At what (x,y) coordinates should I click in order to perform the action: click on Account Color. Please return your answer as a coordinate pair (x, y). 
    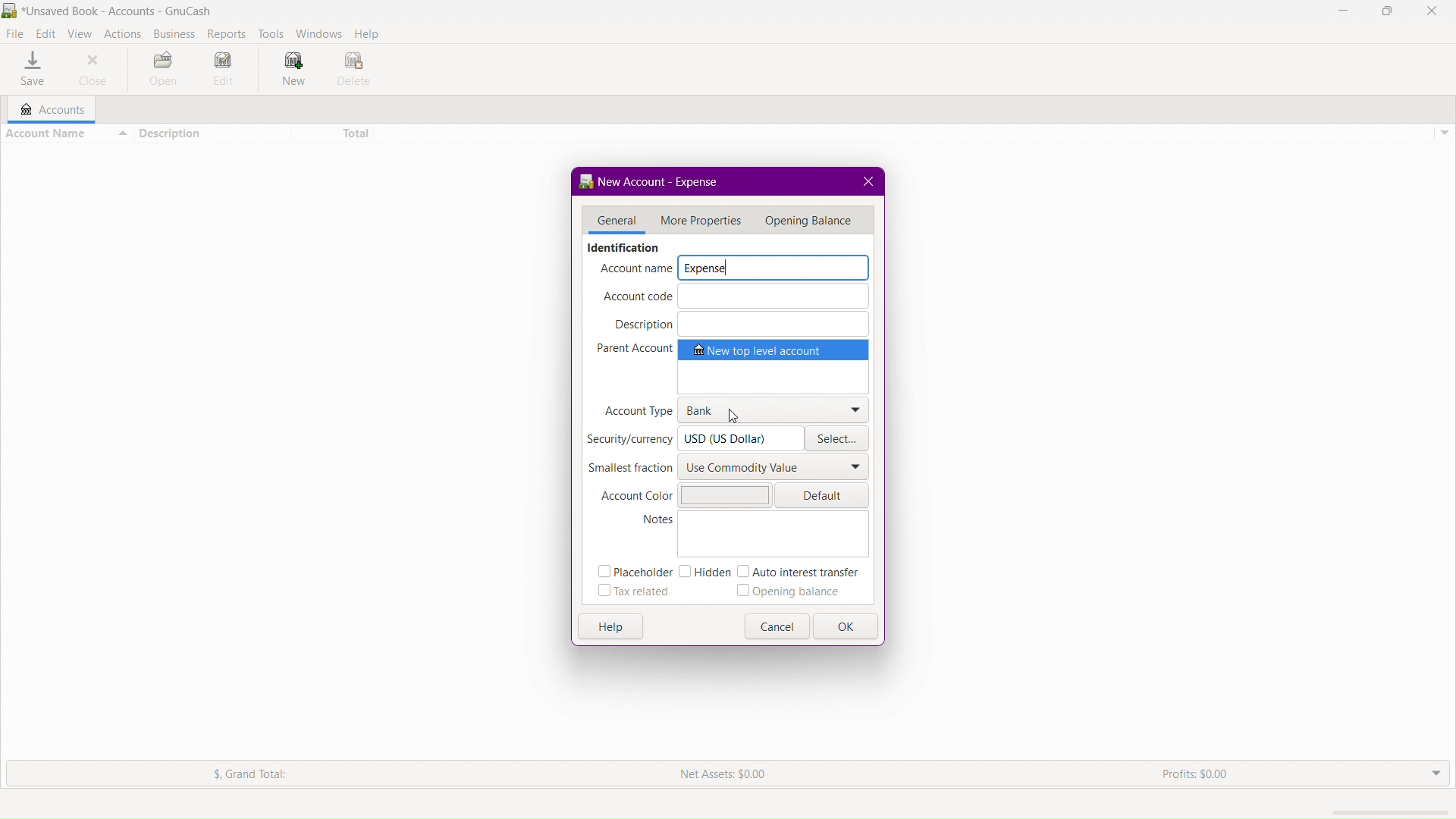
    Looking at the image, I should click on (685, 494).